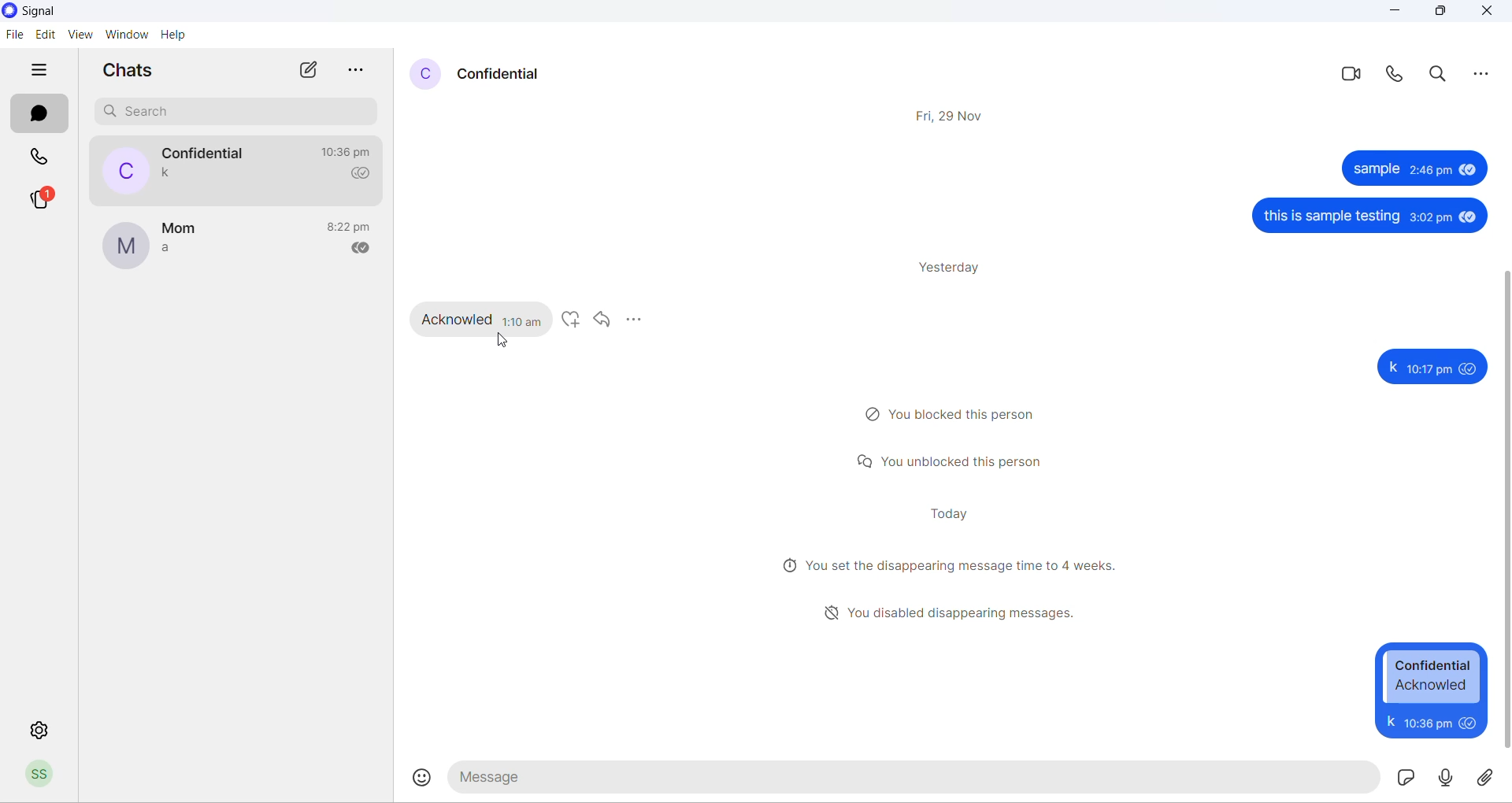 The width and height of the screenshot is (1512, 803). Describe the element at coordinates (78, 35) in the screenshot. I see `view` at that location.